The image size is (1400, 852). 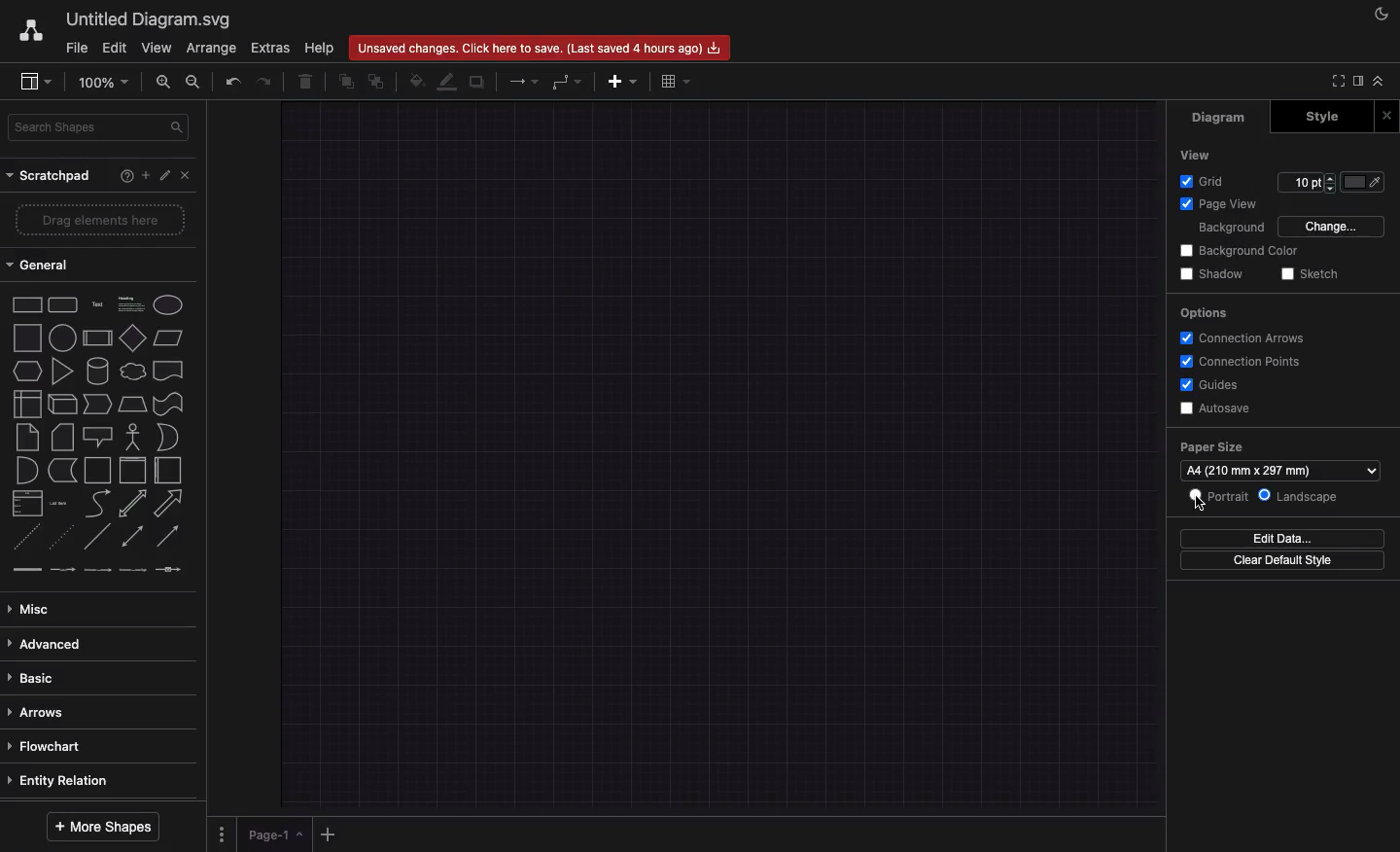 I want to click on Draw.io, so click(x=29, y=33).